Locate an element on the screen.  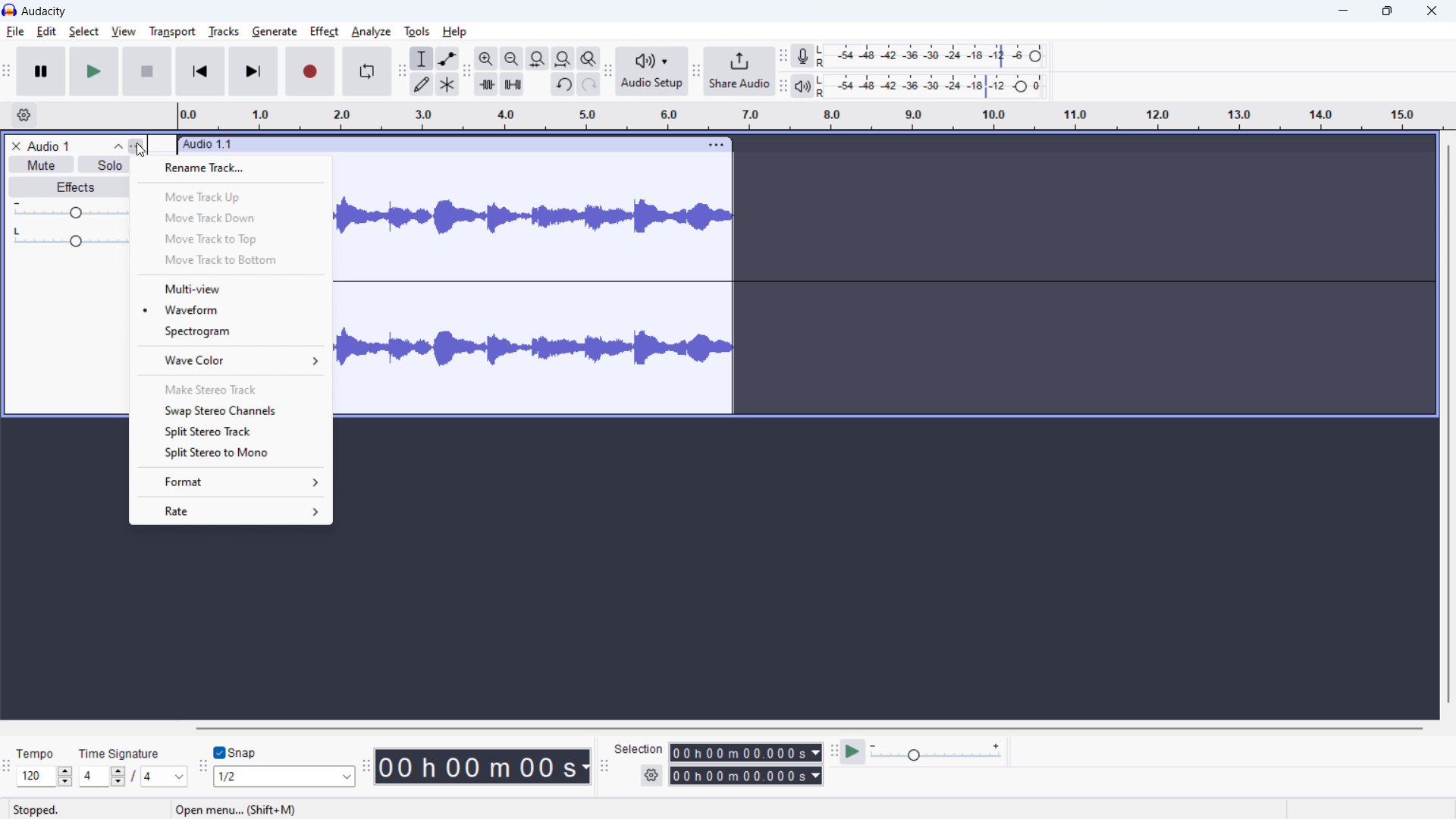
select snapping is located at coordinates (284, 776).